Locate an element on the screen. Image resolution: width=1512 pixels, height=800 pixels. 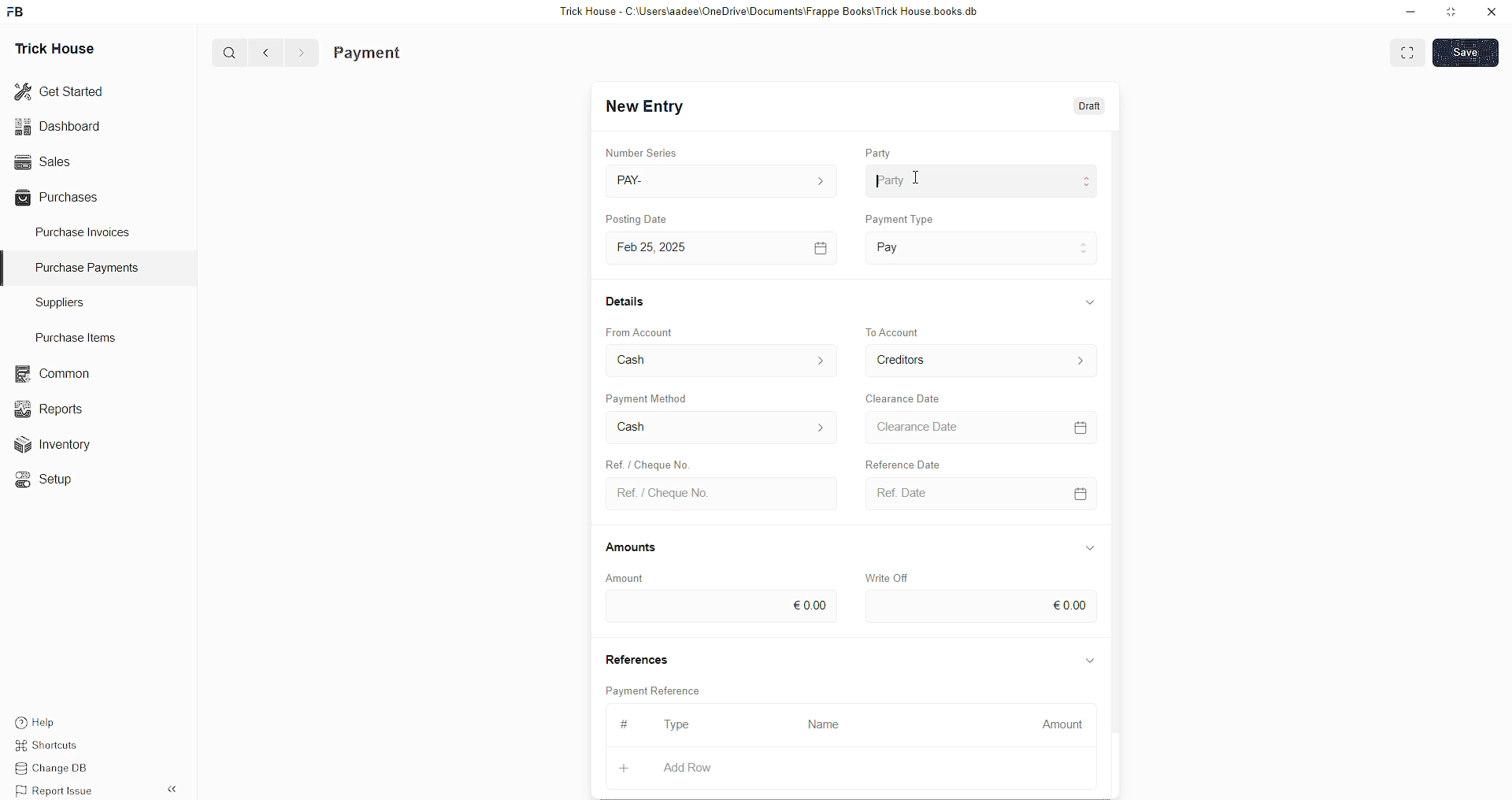
minimise window is located at coordinates (1450, 13).